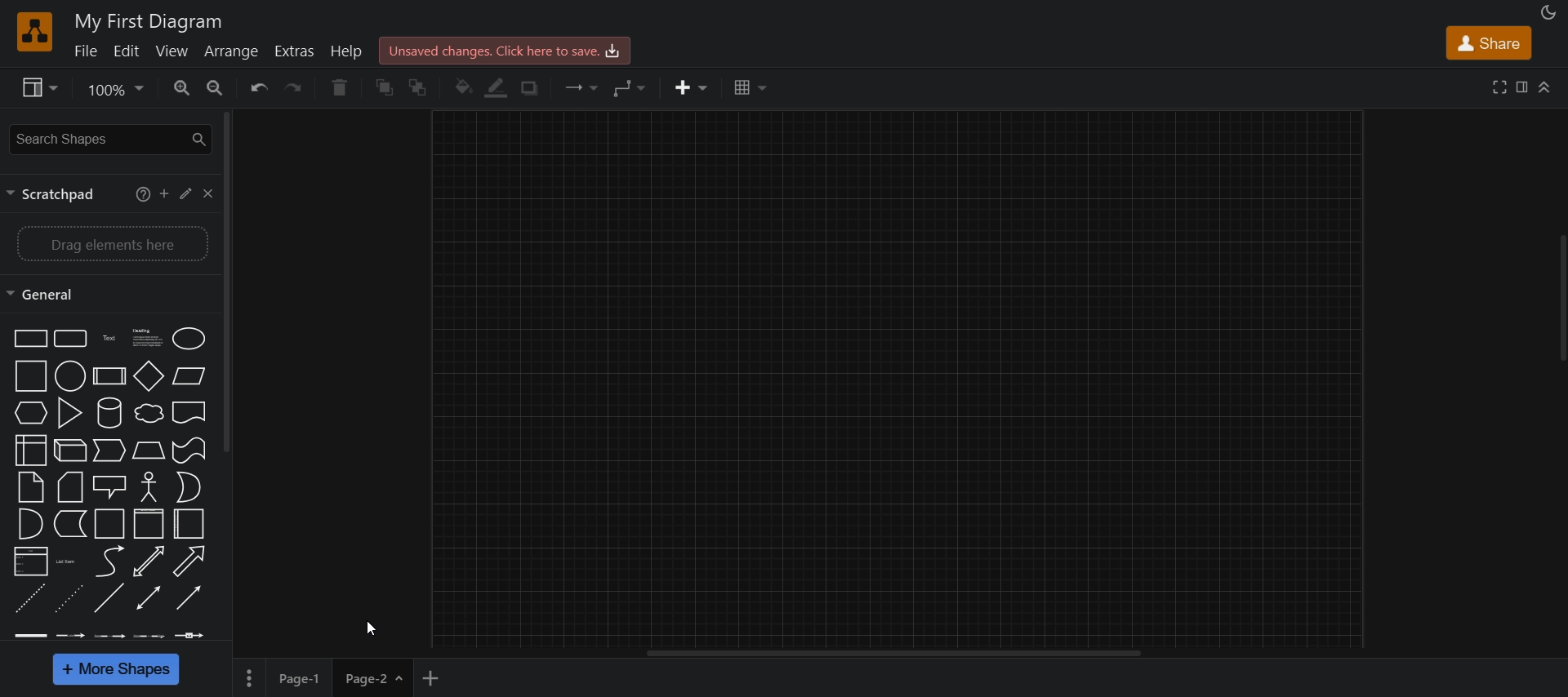  Describe the element at coordinates (239, 51) in the screenshot. I see `arrange` at that location.